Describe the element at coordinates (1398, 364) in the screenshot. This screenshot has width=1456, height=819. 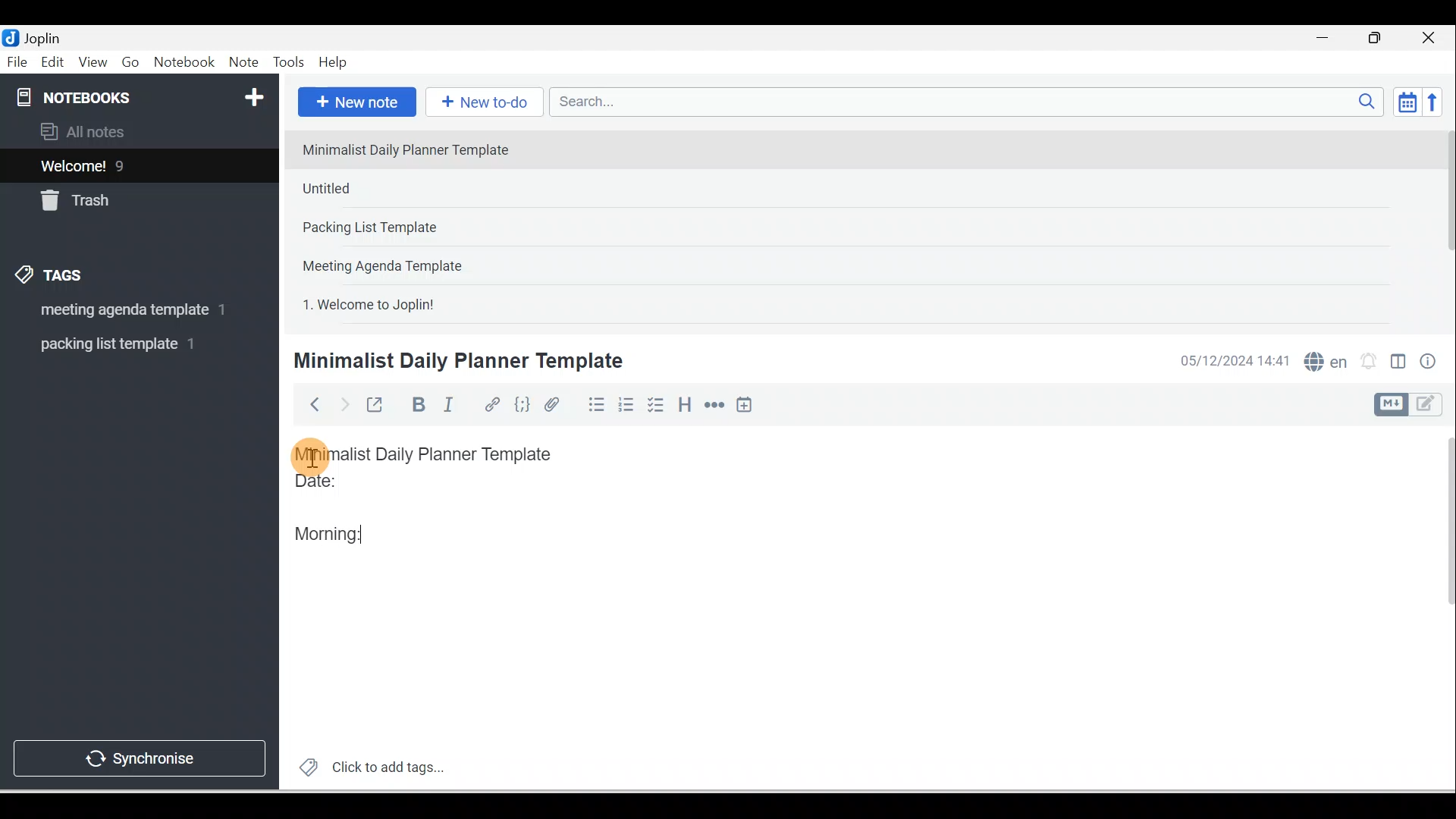
I see `Toggle editors` at that location.